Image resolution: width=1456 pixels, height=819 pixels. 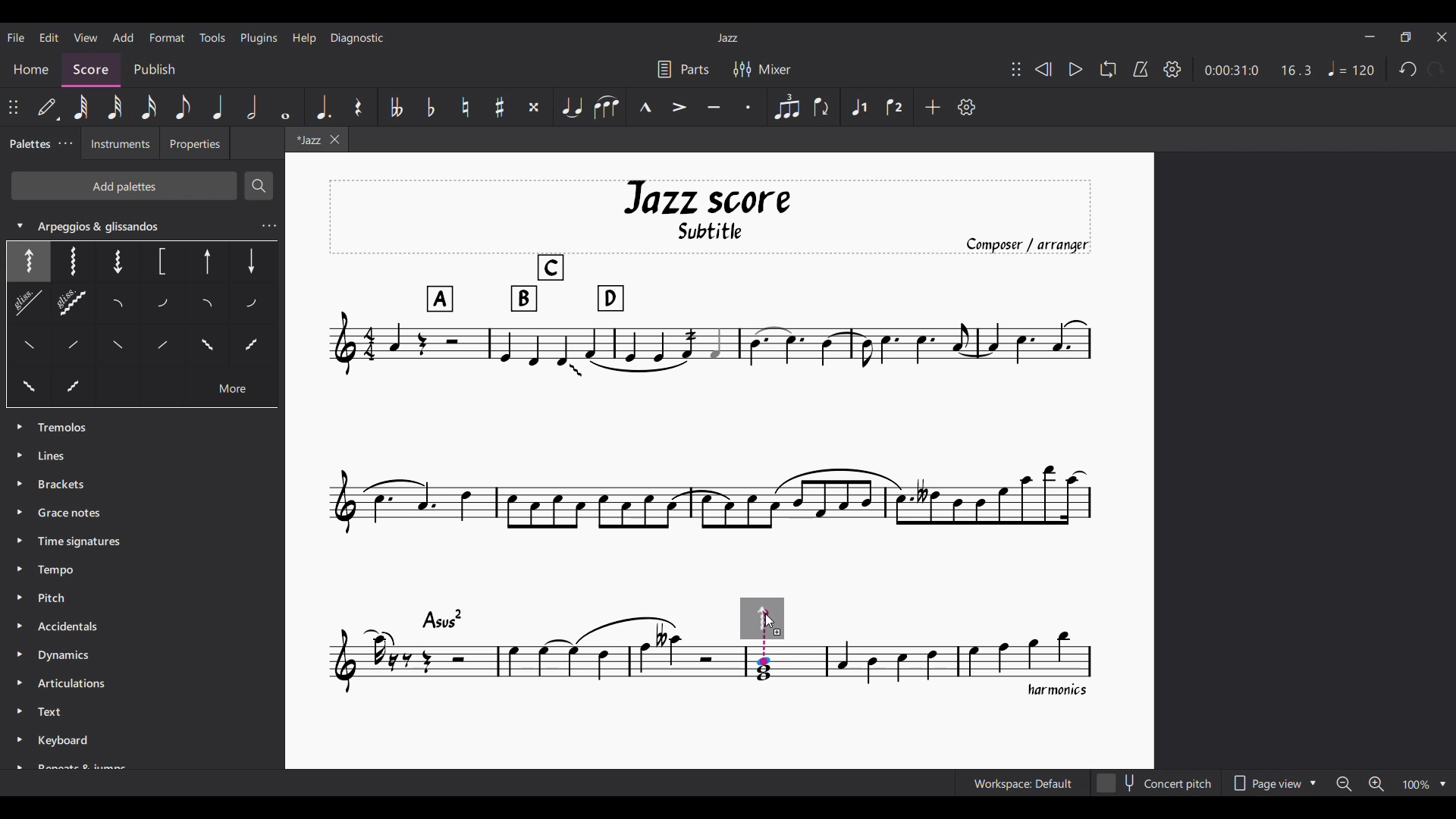 I want to click on Augmentation dot, so click(x=323, y=108).